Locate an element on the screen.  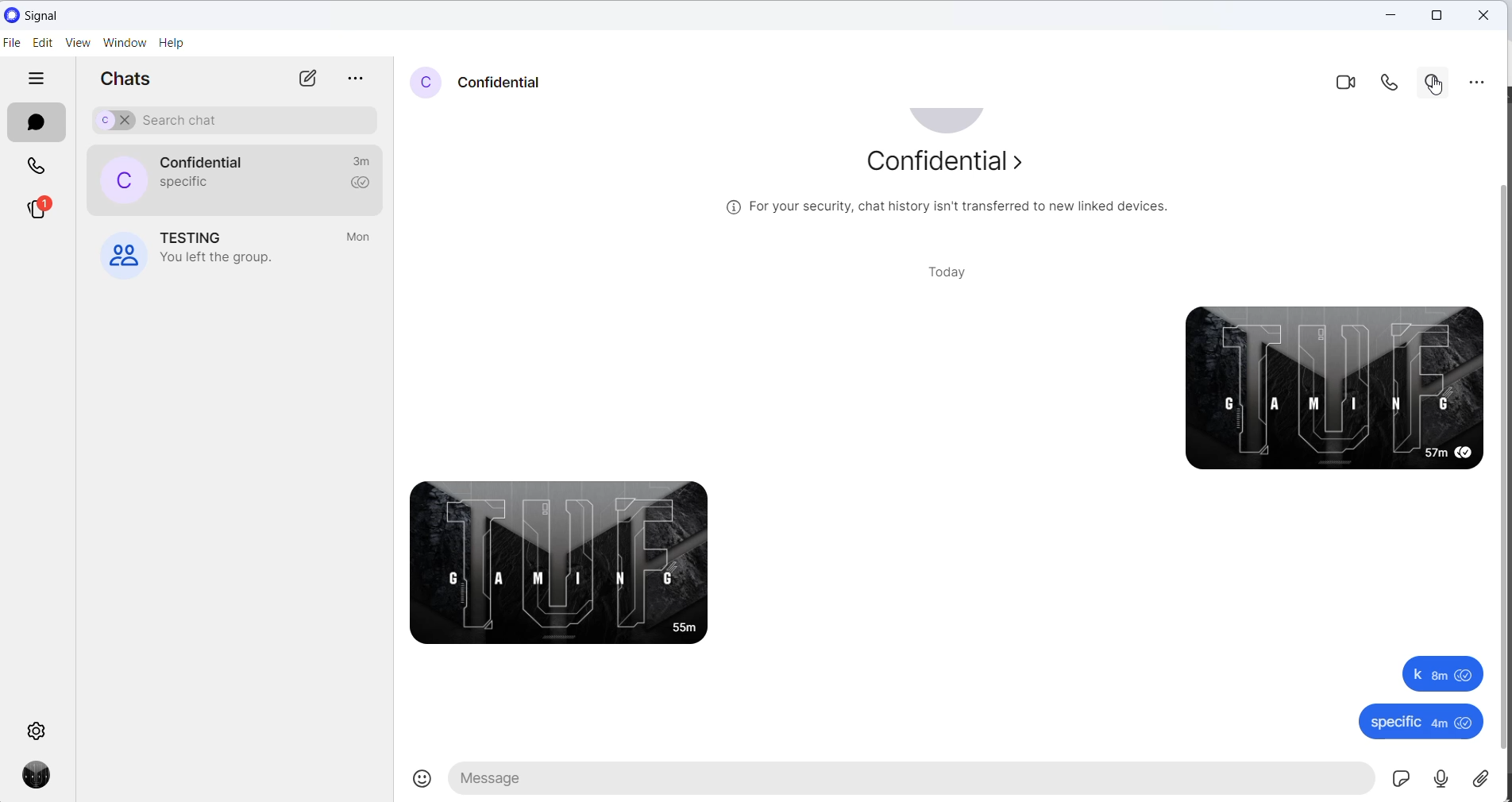
application name and logo is located at coordinates (43, 13).